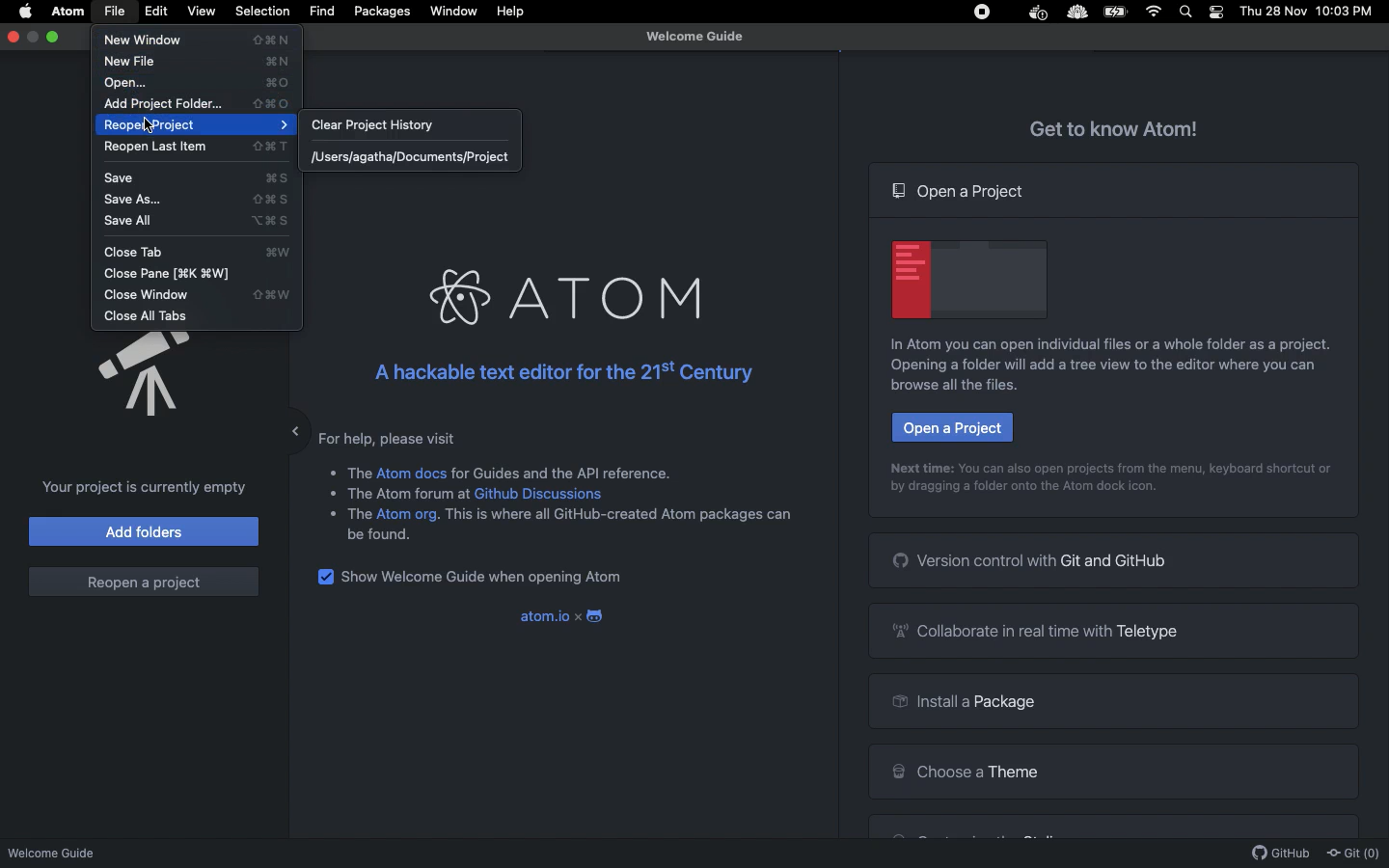 This screenshot has height=868, width=1389. I want to click on Save all, so click(201, 222).